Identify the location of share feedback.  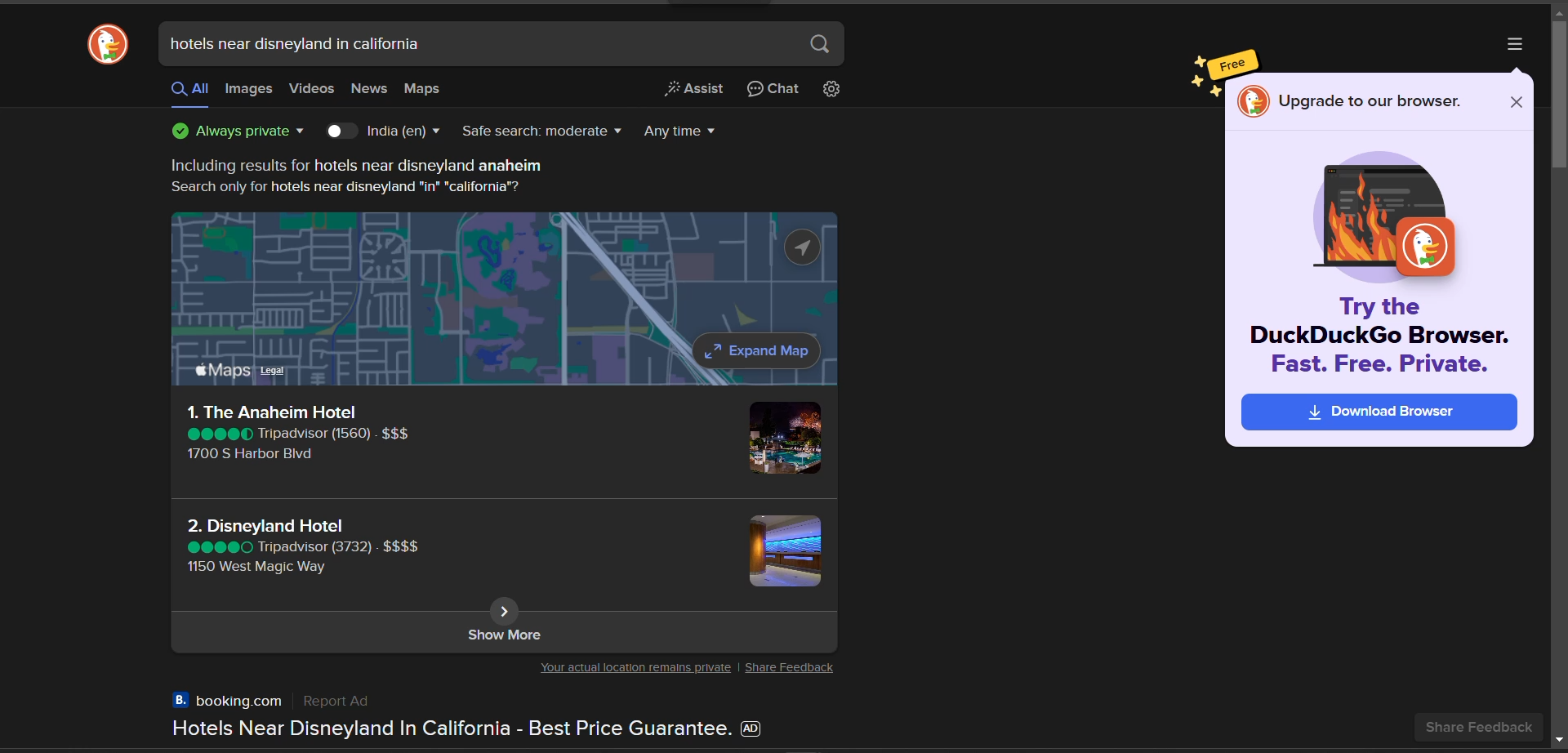
(1488, 727).